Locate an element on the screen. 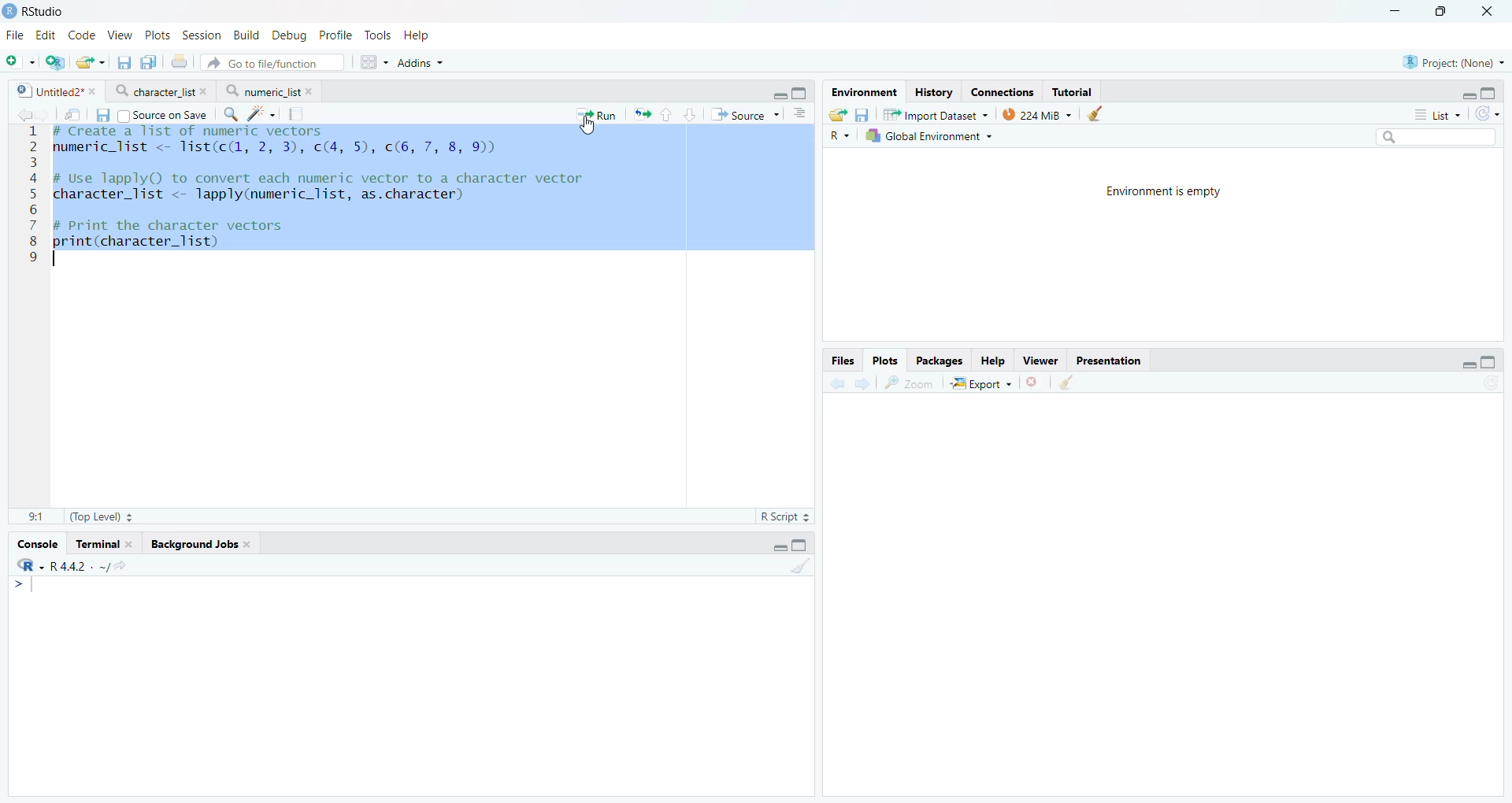 This screenshot has height=803, width=1512. Plots is located at coordinates (887, 358).